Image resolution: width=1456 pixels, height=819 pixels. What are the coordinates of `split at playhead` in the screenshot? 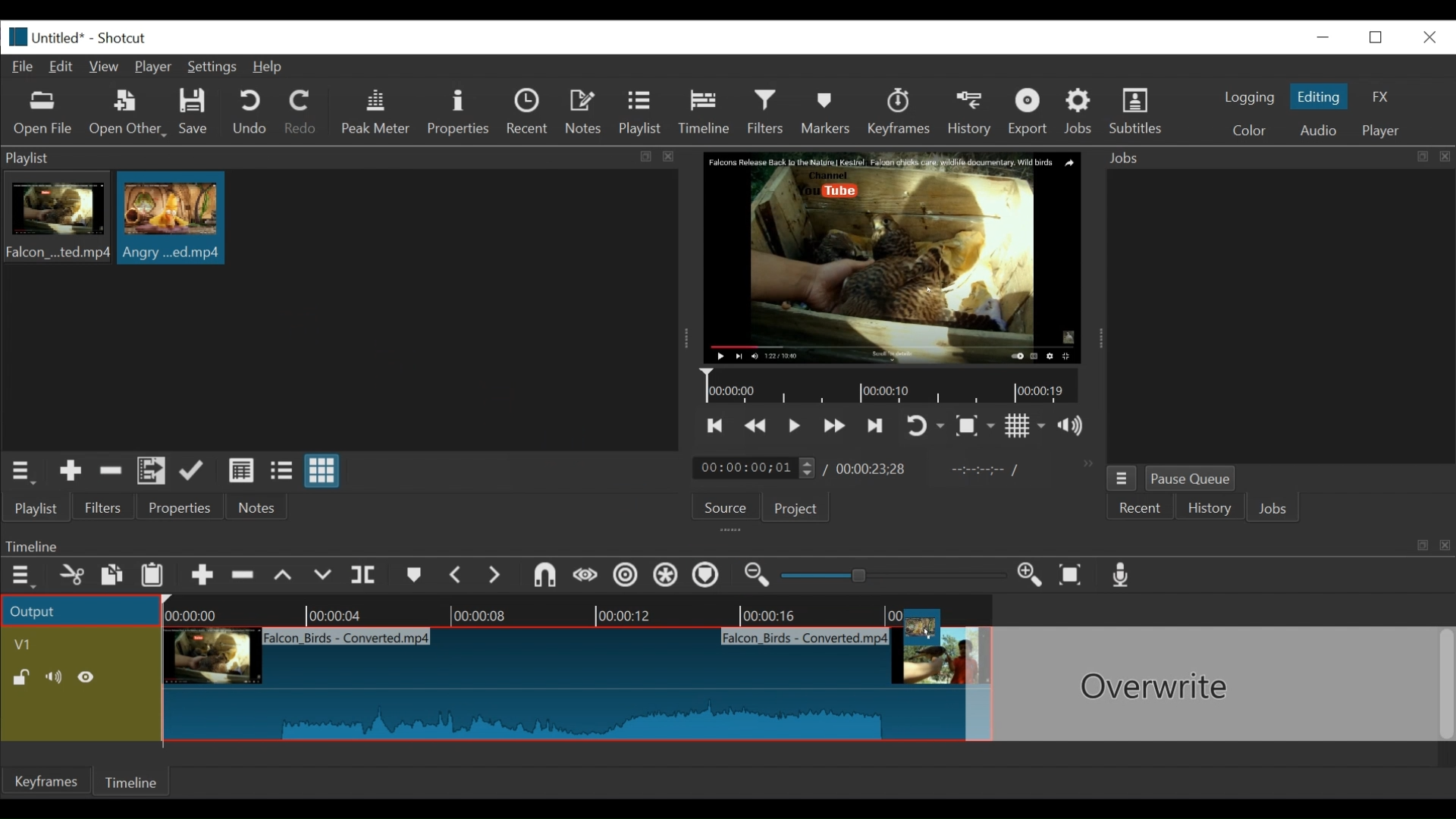 It's located at (366, 576).